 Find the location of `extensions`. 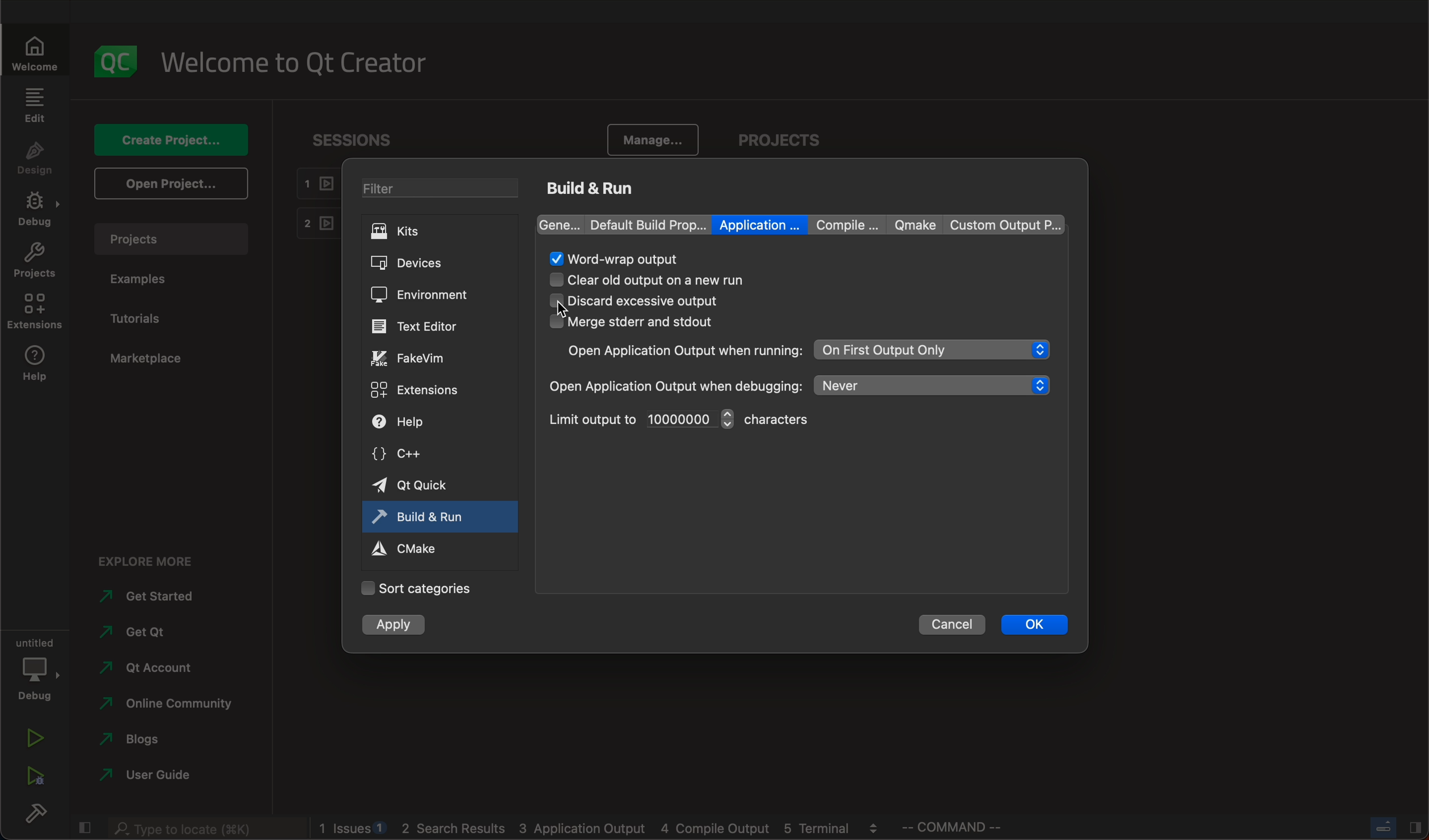

extensions is located at coordinates (428, 389).